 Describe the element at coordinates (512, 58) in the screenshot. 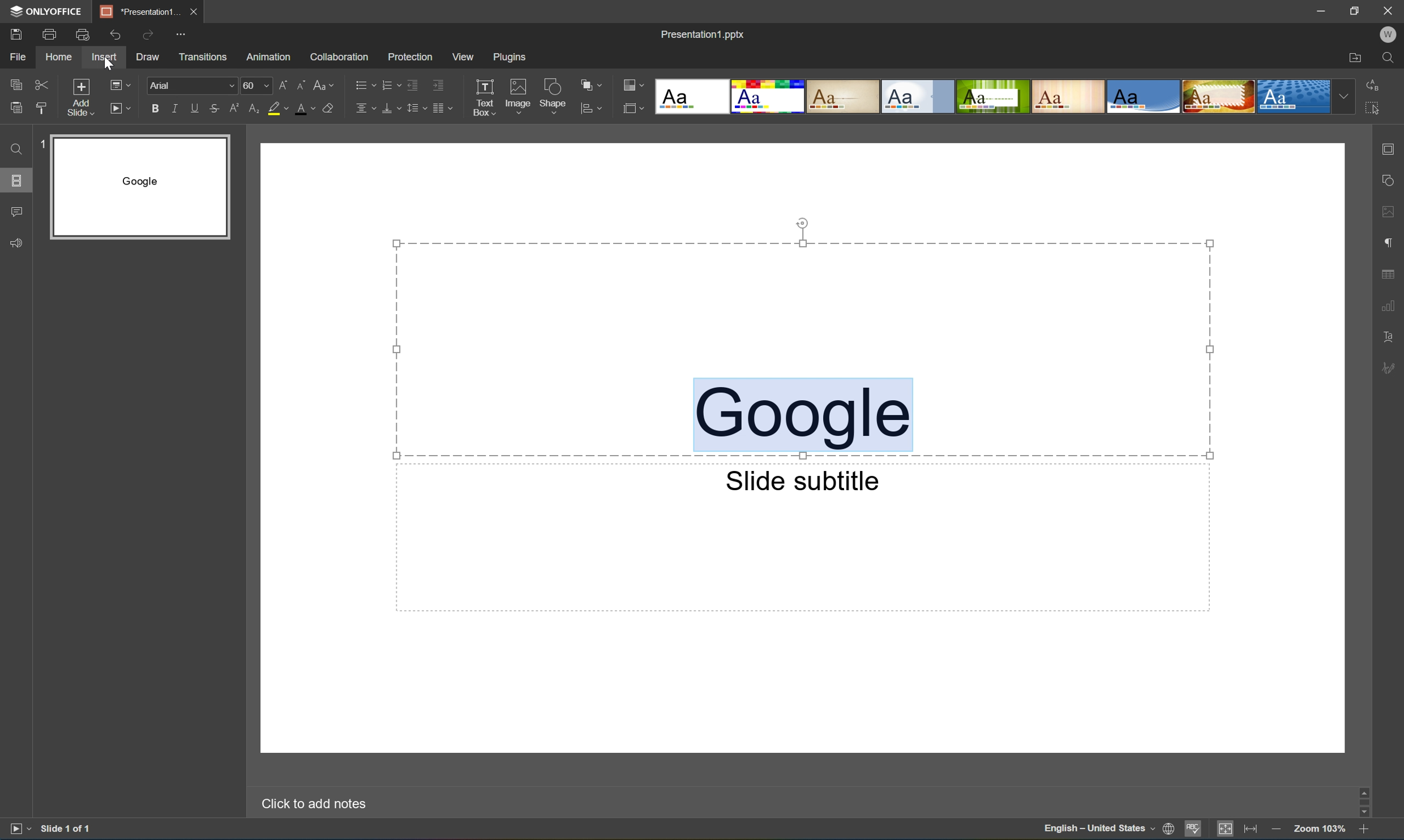

I see `Plugins` at that location.